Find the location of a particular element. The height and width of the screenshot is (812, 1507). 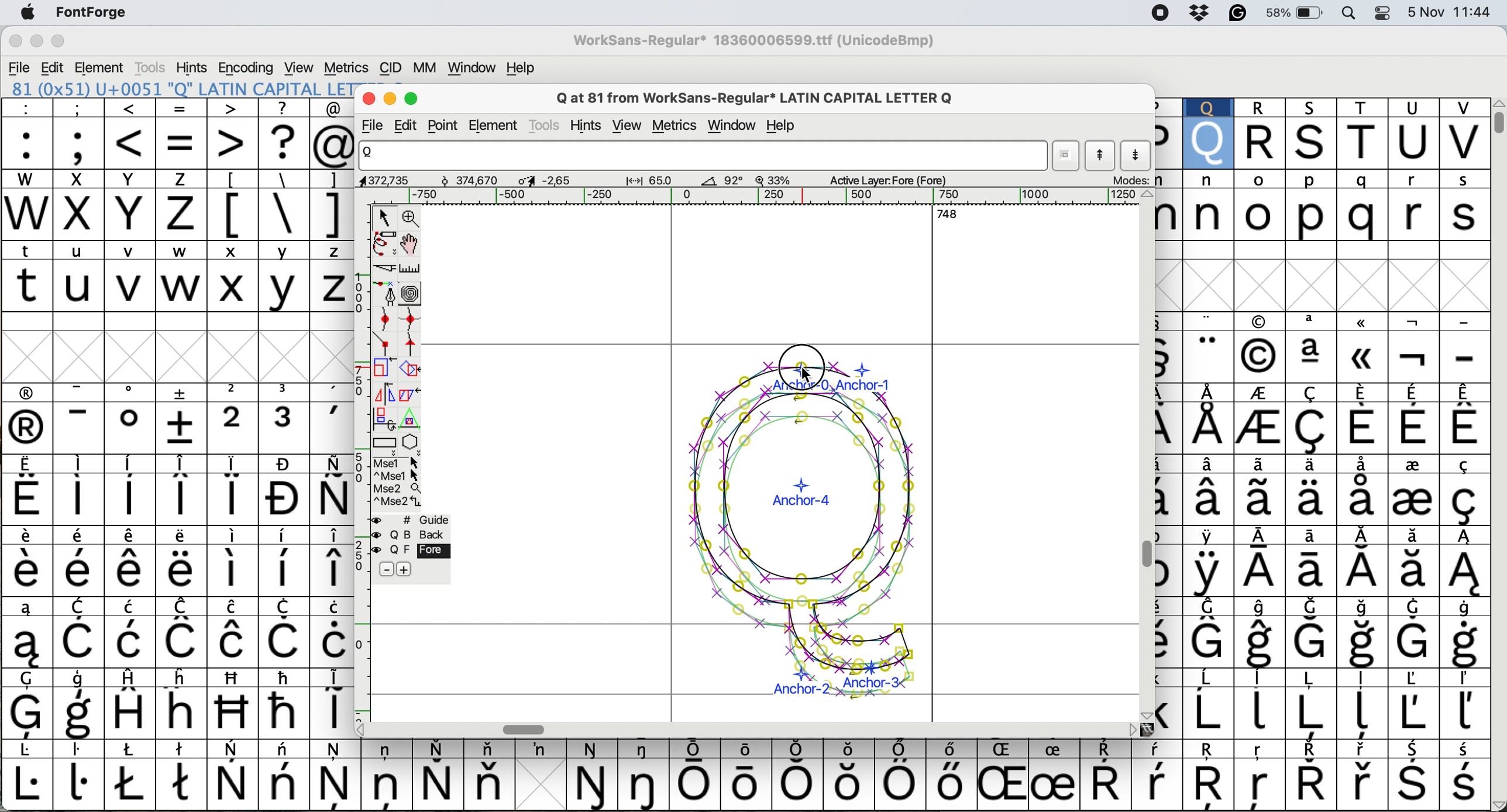

add a tangent point is located at coordinates (413, 346).